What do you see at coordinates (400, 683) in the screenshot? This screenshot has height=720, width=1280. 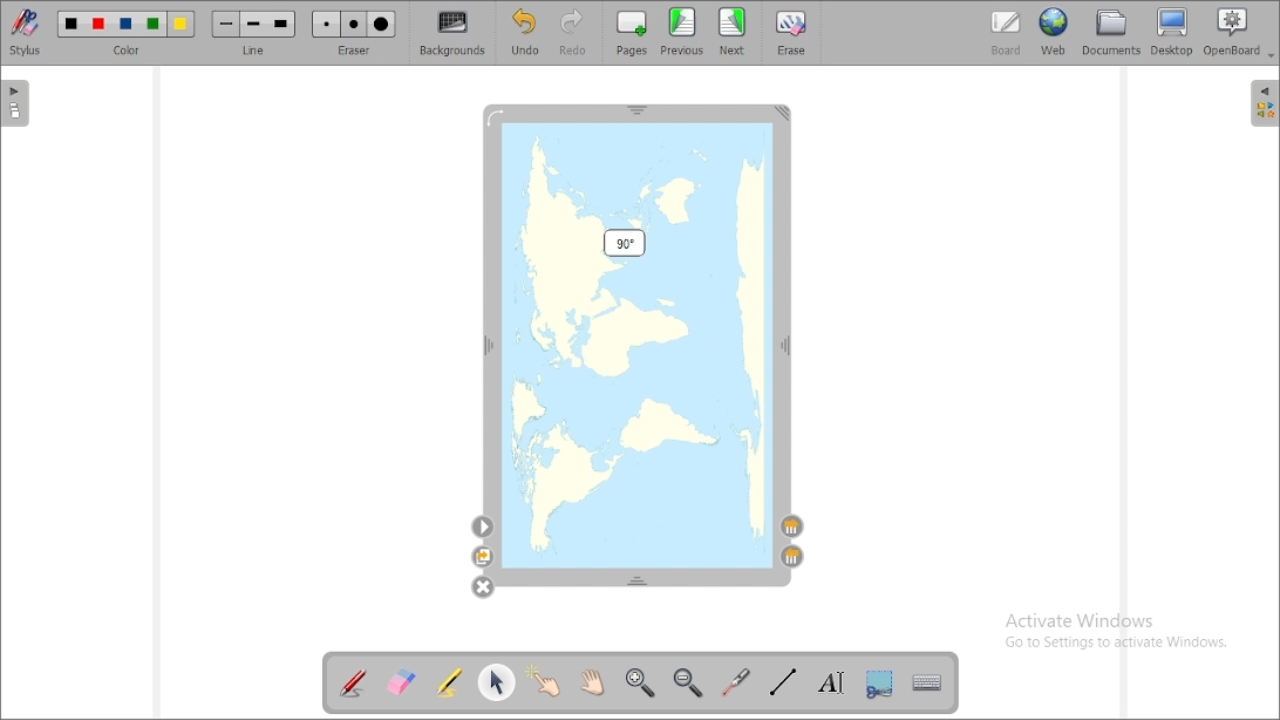 I see `erase annotation` at bounding box center [400, 683].